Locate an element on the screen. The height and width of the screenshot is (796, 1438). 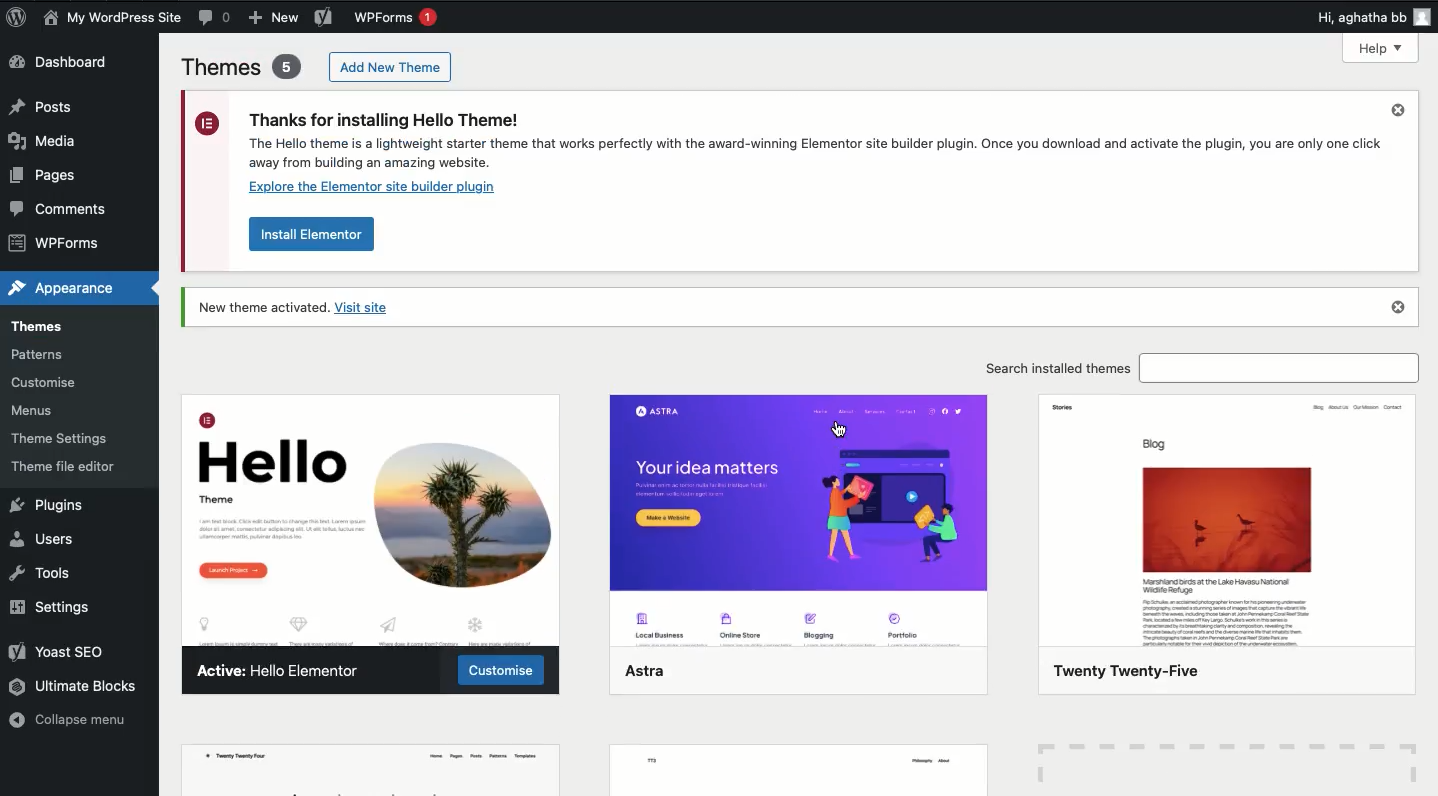
Active is located at coordinates (288, 670).